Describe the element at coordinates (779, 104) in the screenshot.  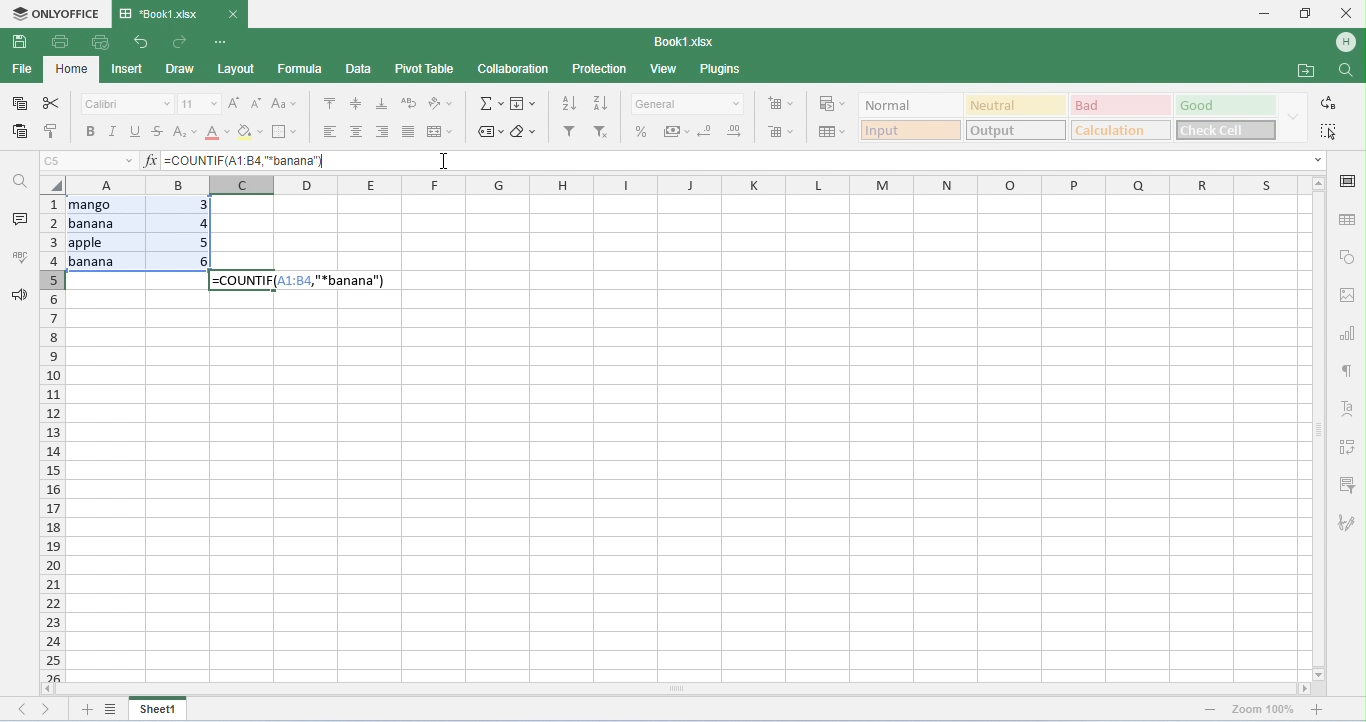
I see `insert cells` at that location.